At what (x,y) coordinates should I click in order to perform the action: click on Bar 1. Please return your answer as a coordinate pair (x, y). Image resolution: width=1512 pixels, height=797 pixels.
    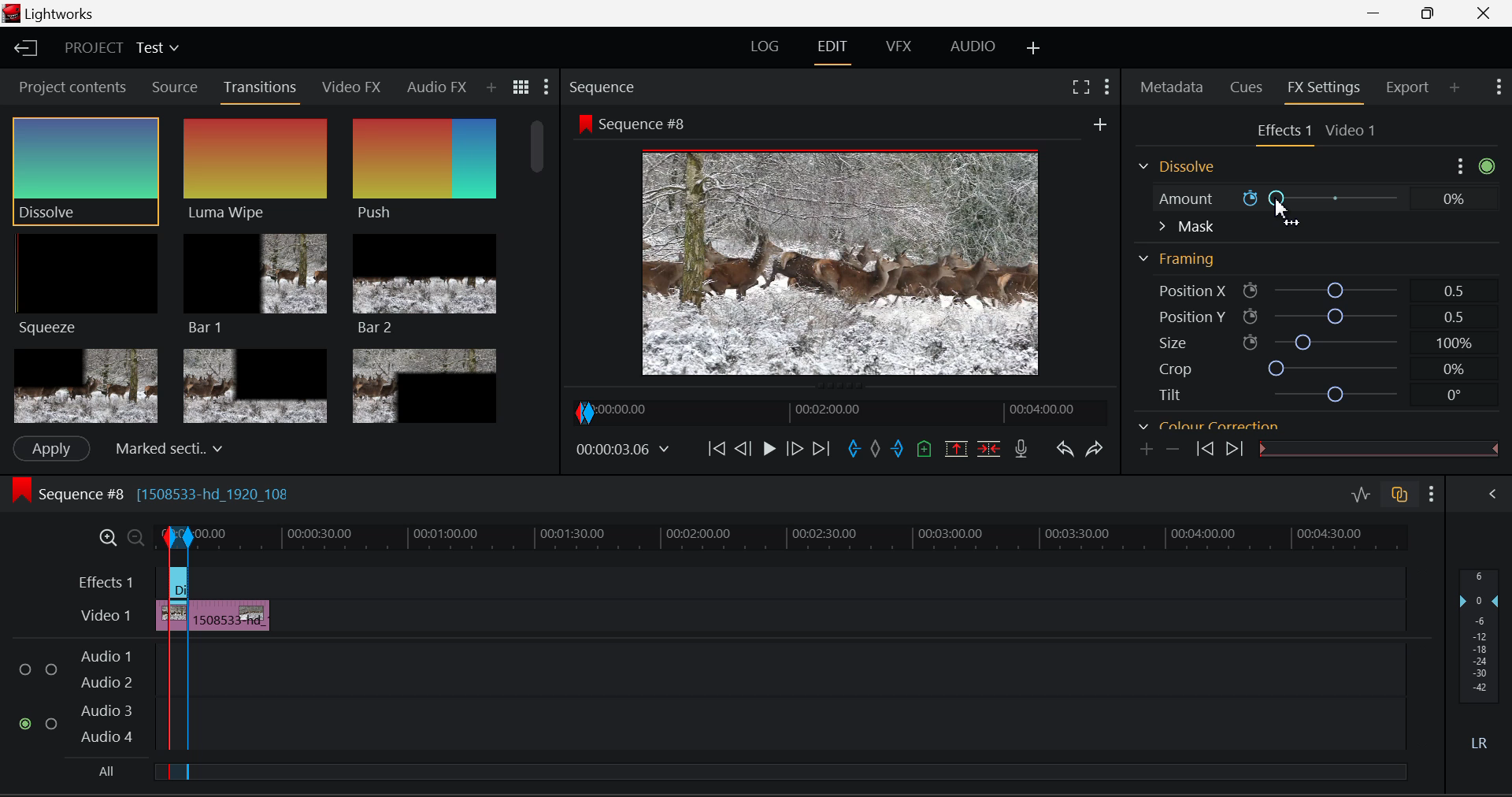
    Looking at the image, I should click on (256, 283).